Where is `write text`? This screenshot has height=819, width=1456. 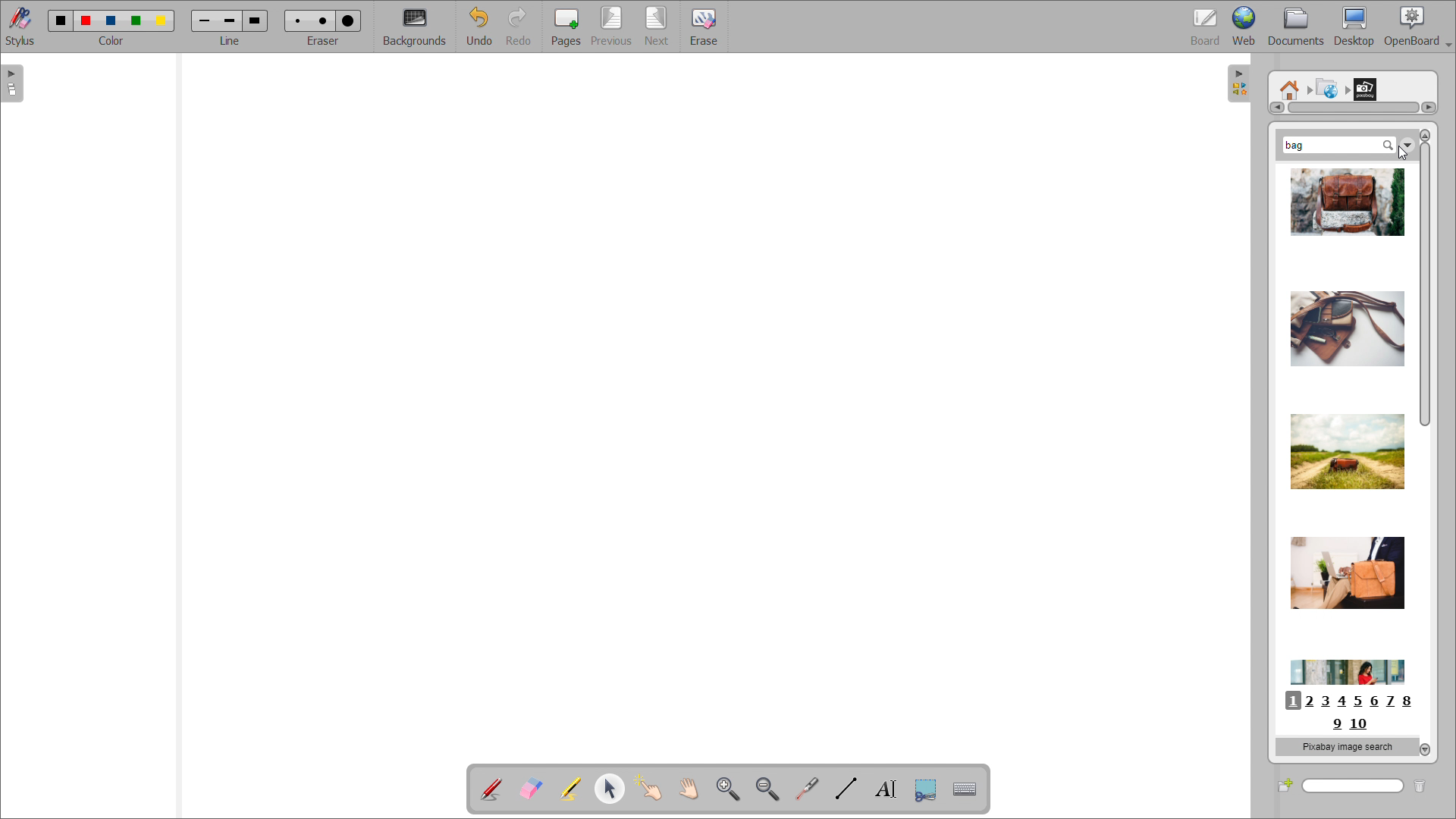 write text is located at coordinates (886, 789).